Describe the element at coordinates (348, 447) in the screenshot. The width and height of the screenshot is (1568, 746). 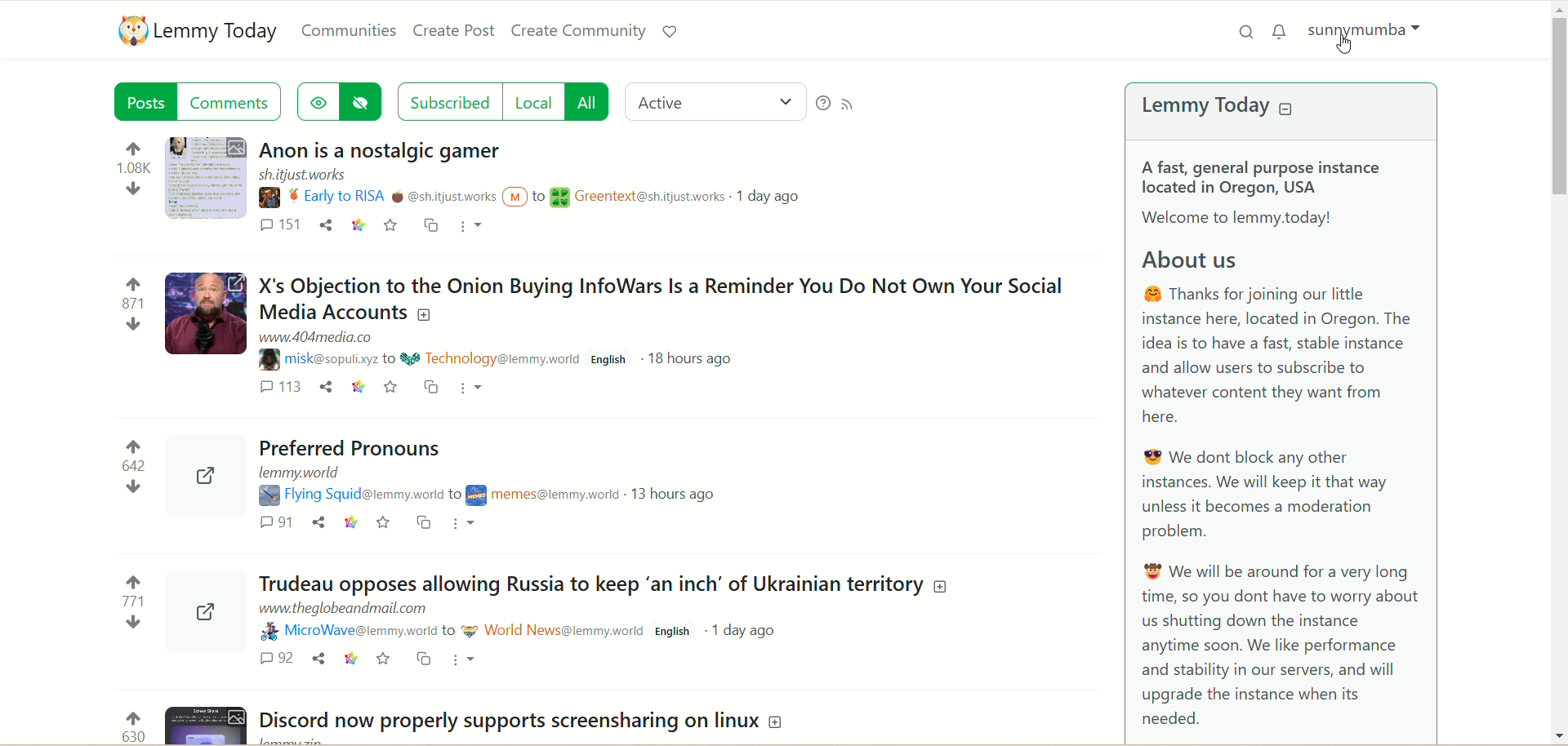
I see `Post on "Preferred Pronouns"` at that location.